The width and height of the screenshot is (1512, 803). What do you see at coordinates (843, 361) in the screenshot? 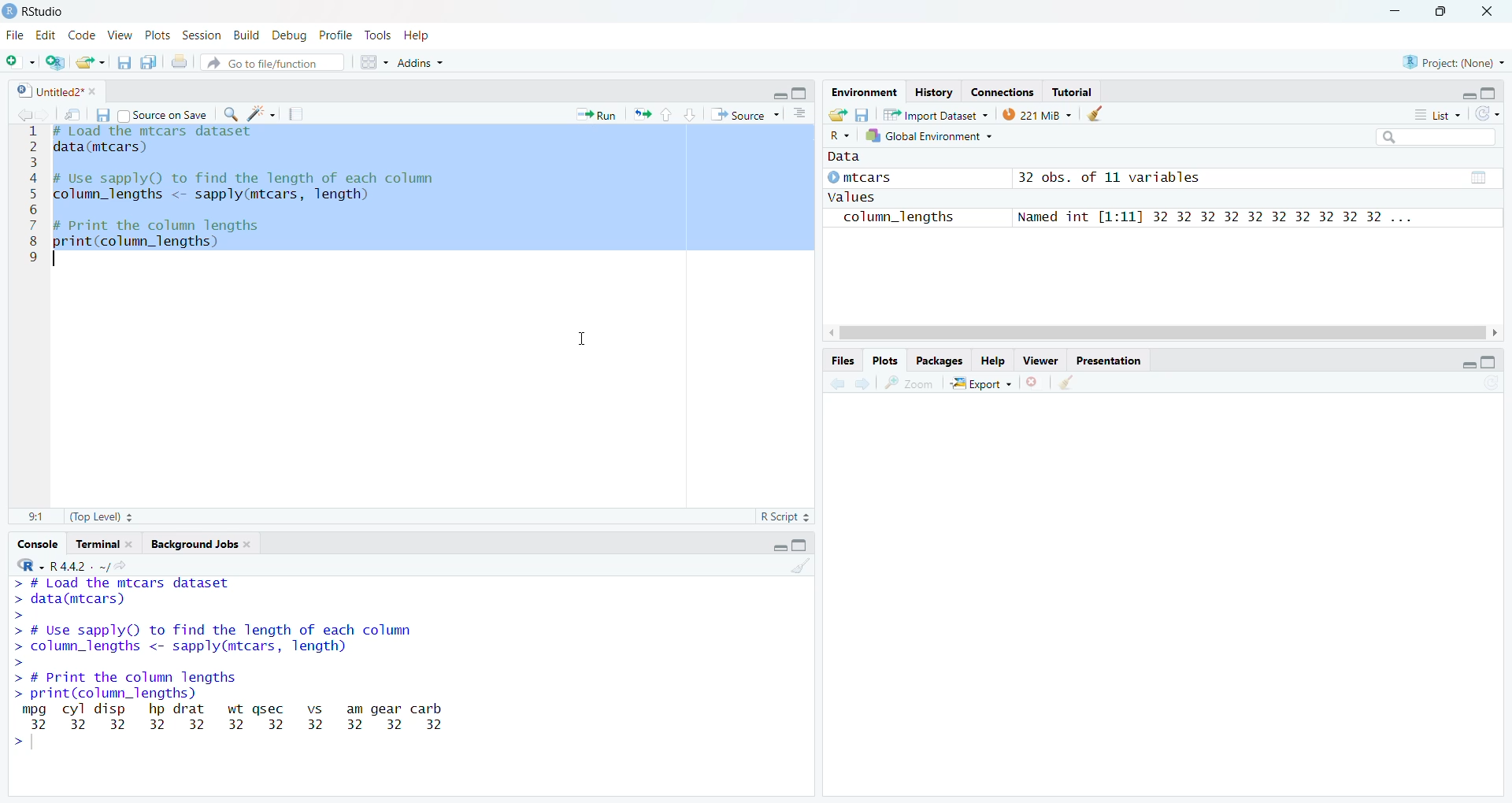
I see `Files` at bounding box center [843, 361].